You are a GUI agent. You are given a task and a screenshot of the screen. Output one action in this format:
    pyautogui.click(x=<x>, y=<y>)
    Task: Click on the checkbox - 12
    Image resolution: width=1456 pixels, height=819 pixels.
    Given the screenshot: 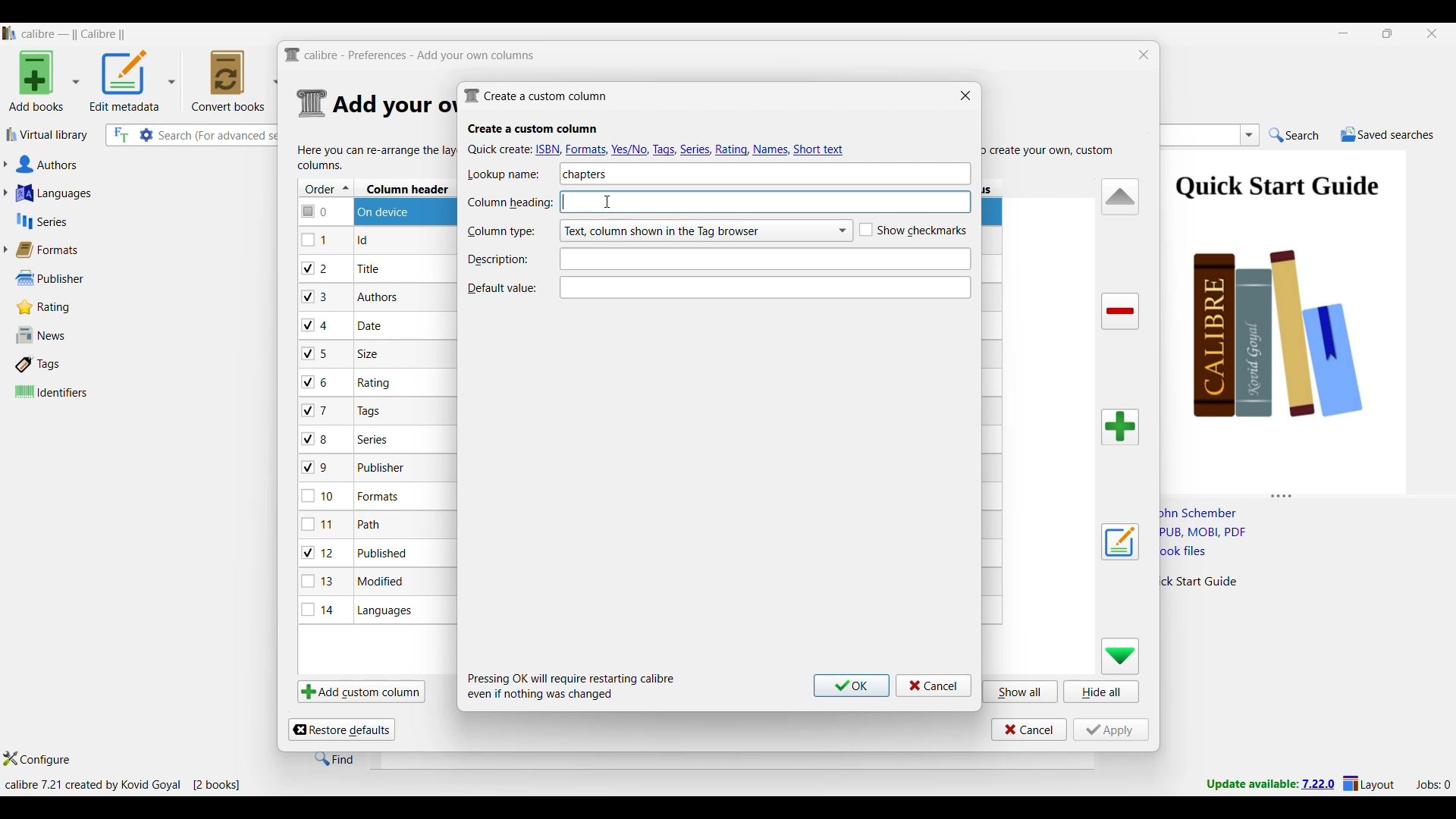 What is the action you would take?
    pyautogui.click(x=320, y=552)
    